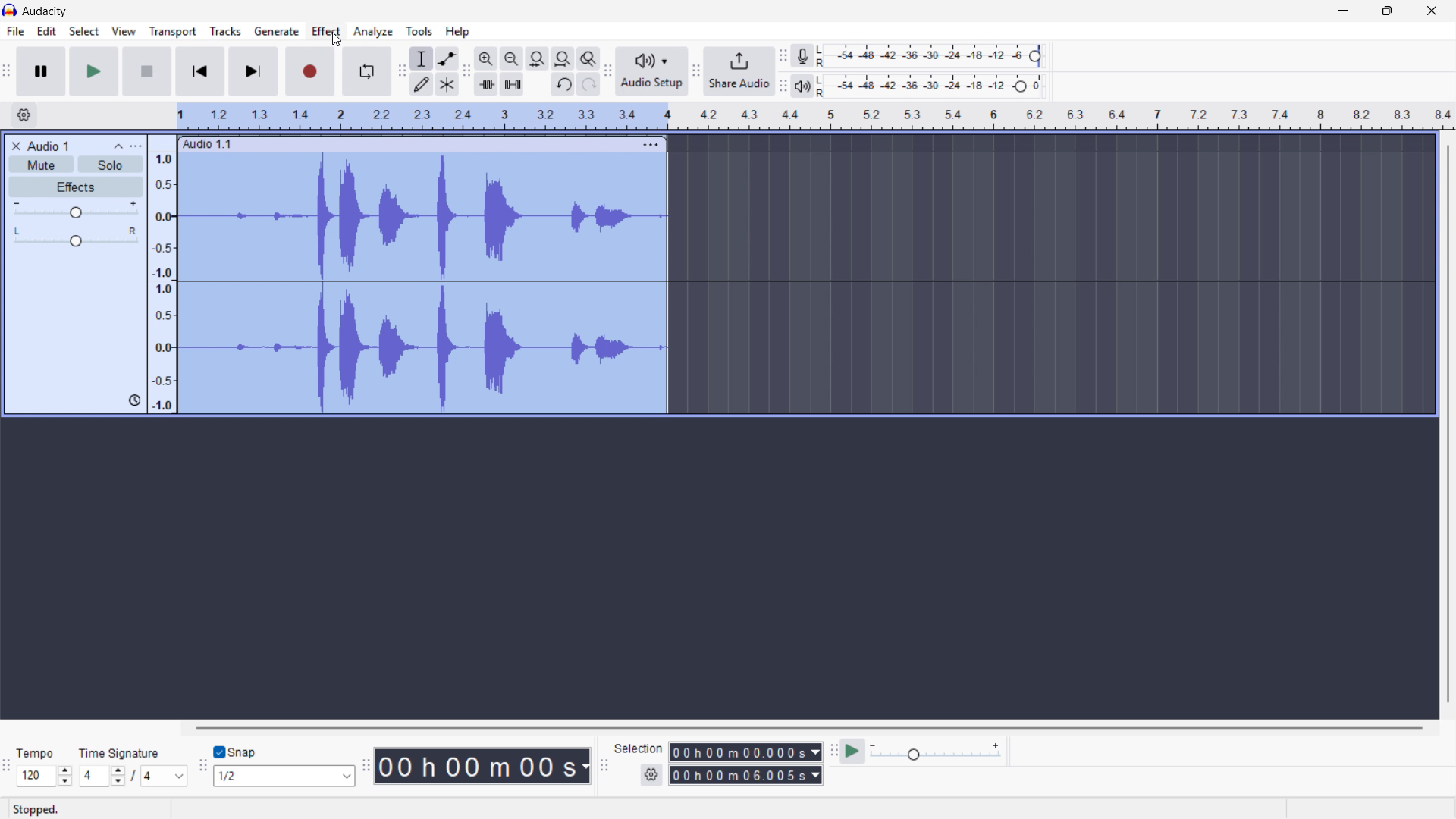  I want to click on redo, so click(588, 85).